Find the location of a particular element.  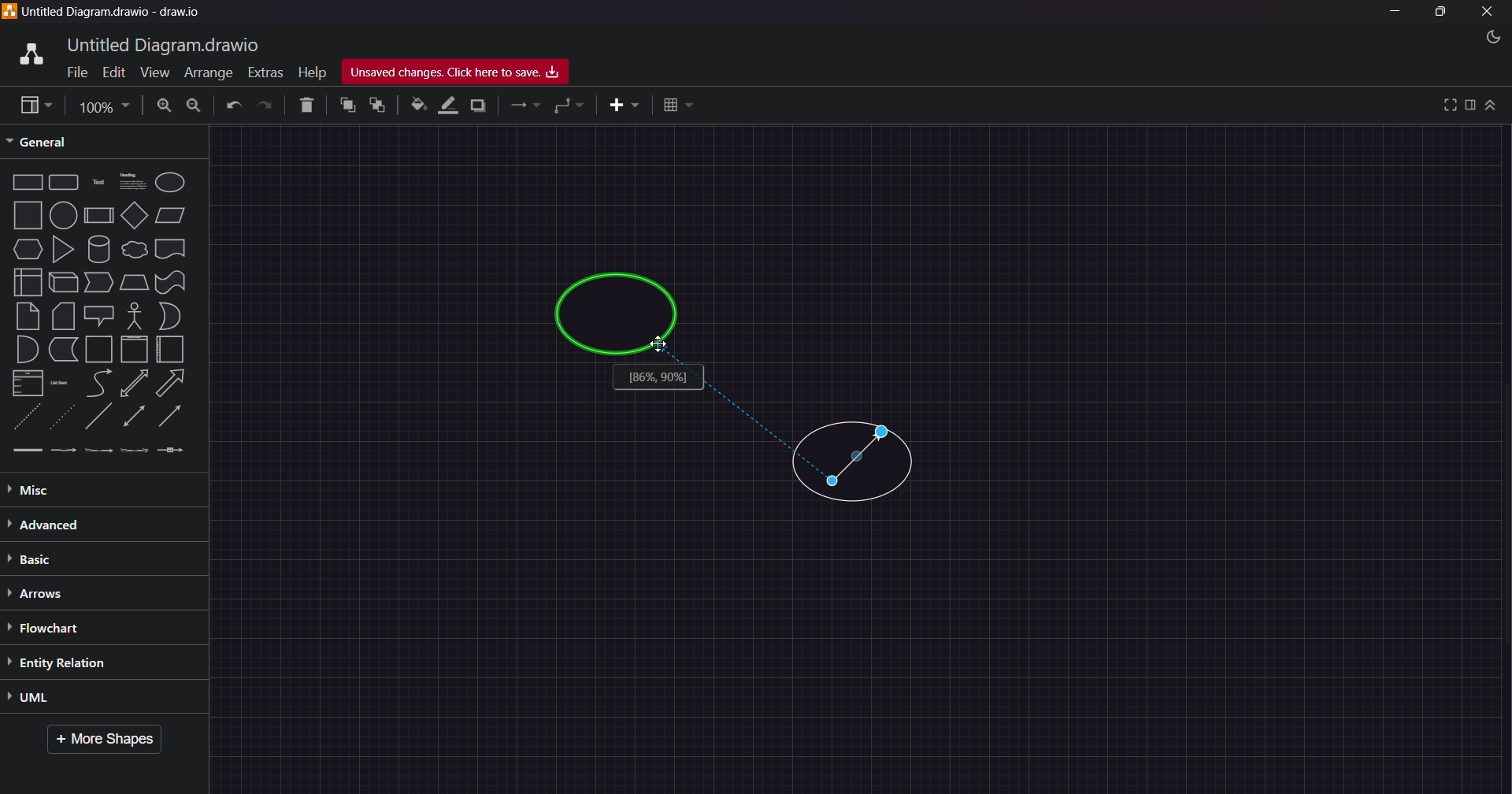

insert is located at coordinates (618, 106).